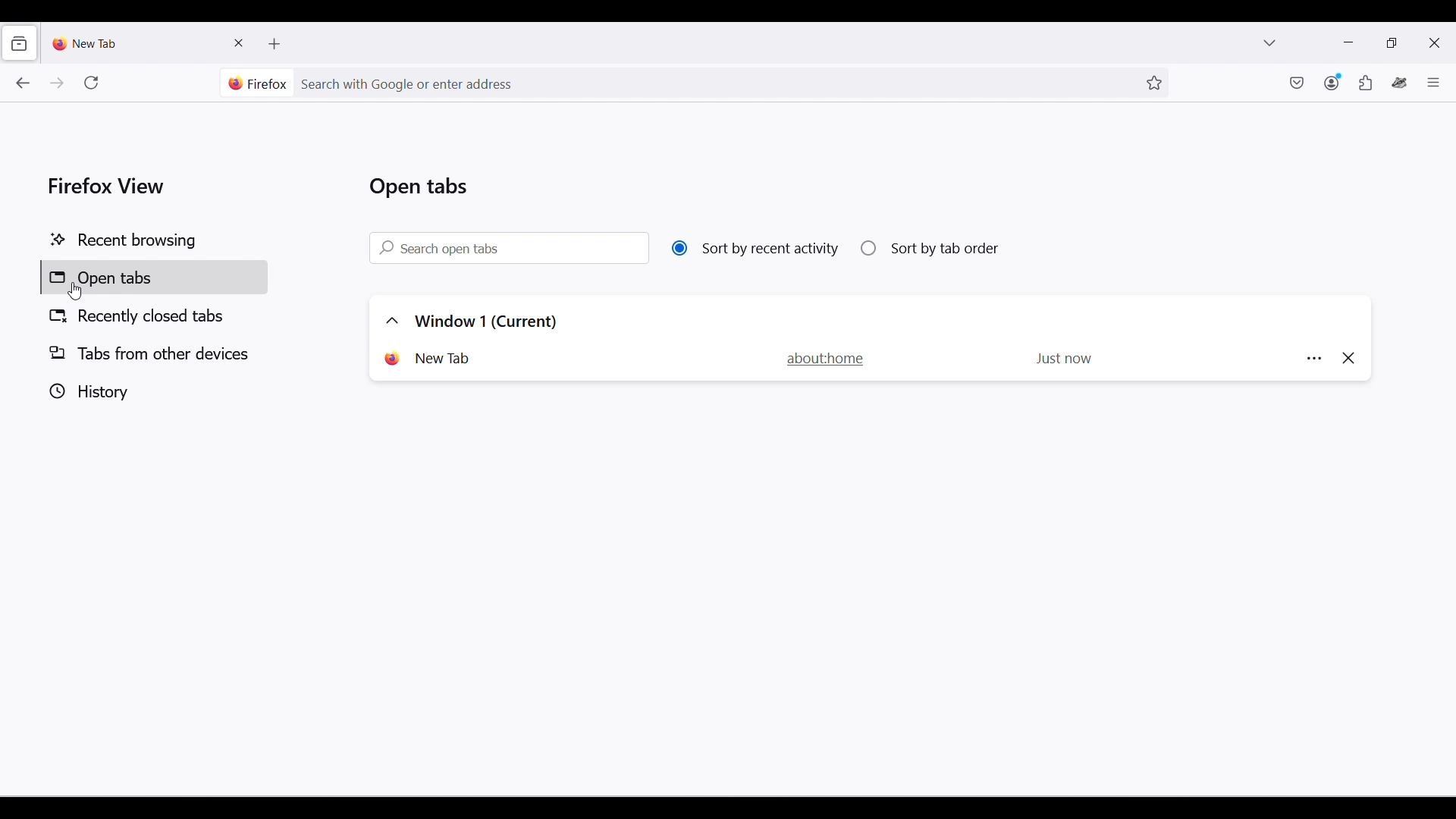 The width and height of the screenshot is (1456, 819). What do you see at coordinates (1298, 83) in the screenshot?
I see `Save to pocket` at bounding box center [1298, 83].